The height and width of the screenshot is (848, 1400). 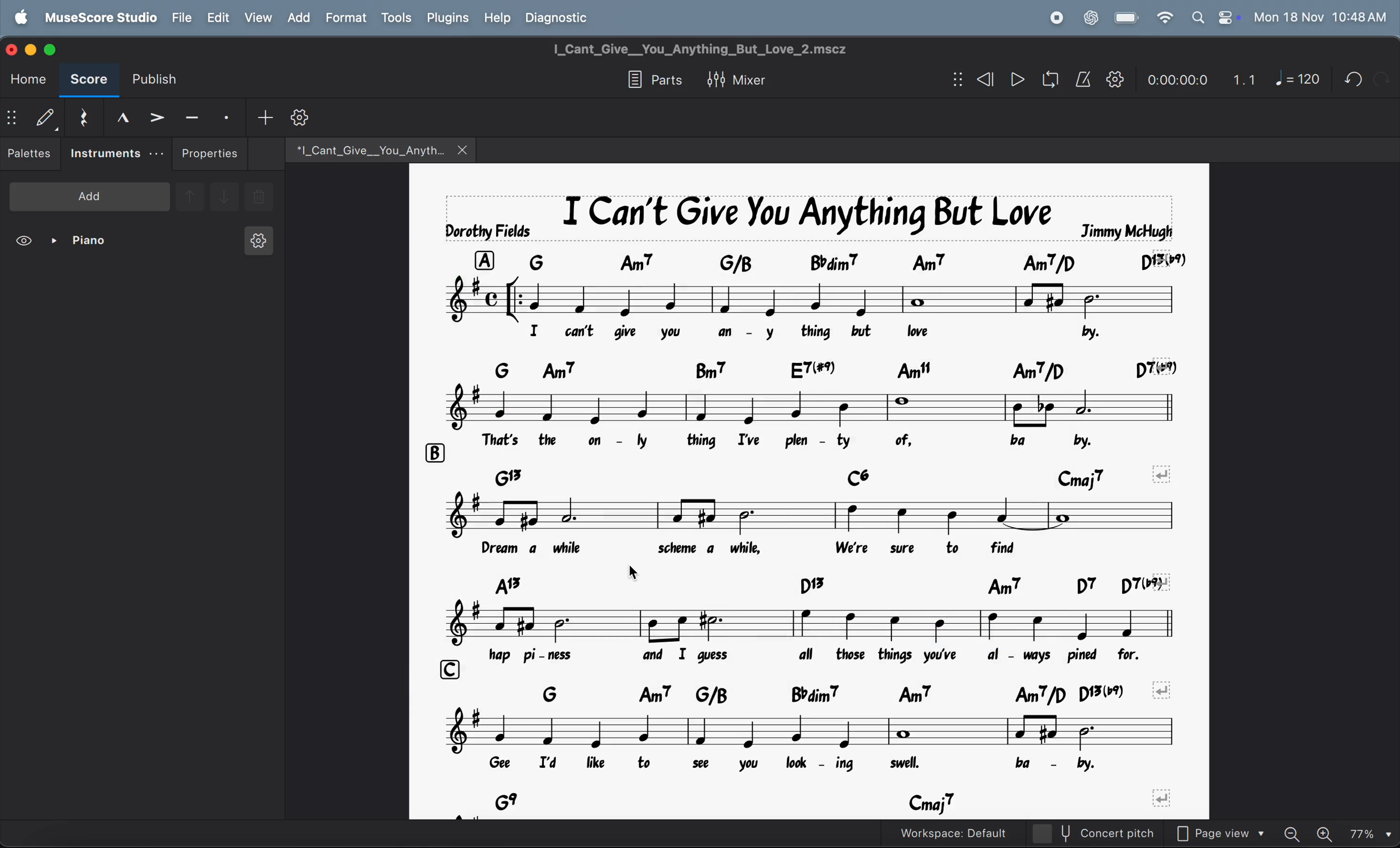 I want to click on control center, so click(x=1226, y=17).